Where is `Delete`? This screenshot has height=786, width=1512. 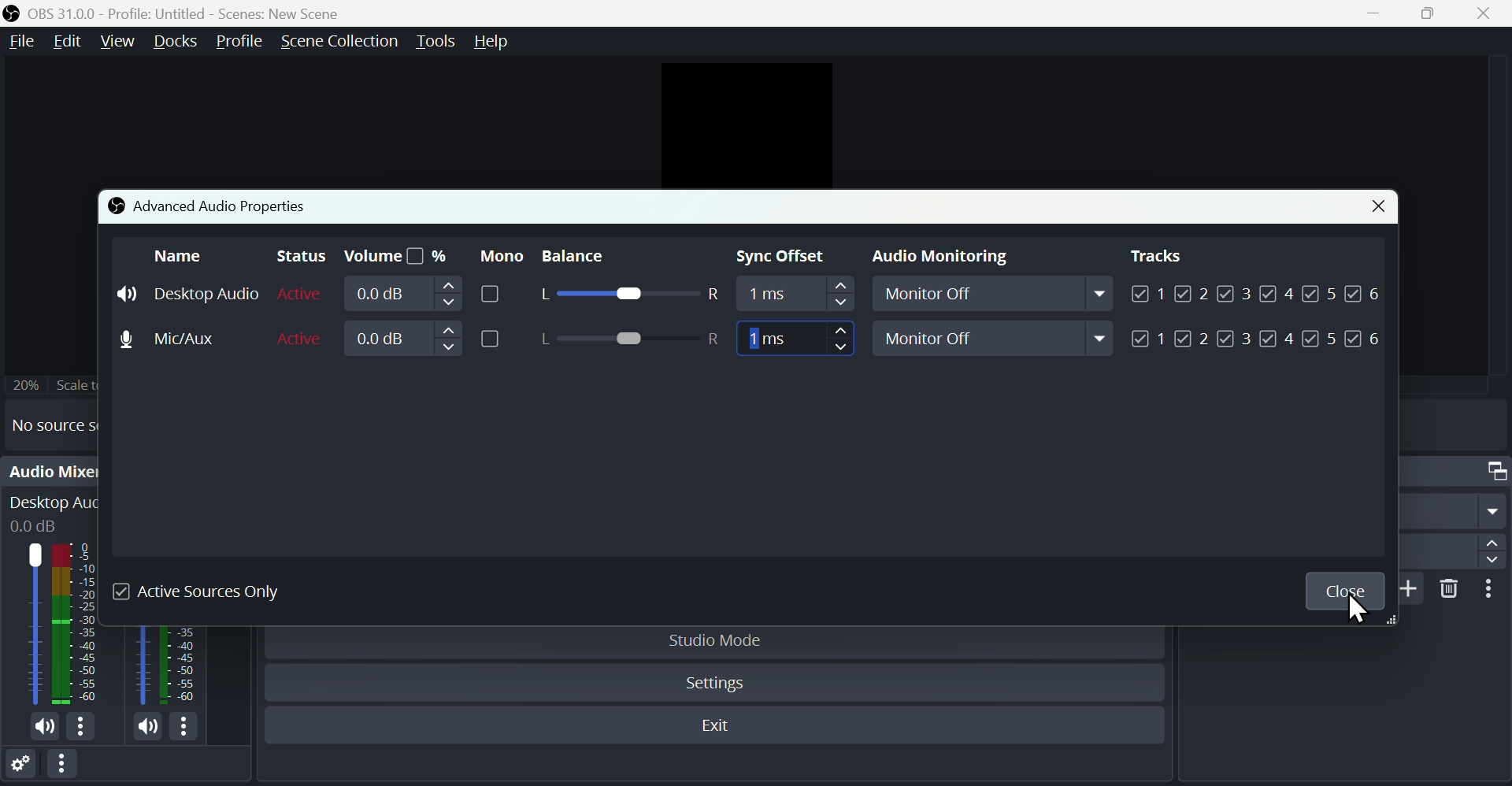 Delete is located at coordinates (1451, 588).